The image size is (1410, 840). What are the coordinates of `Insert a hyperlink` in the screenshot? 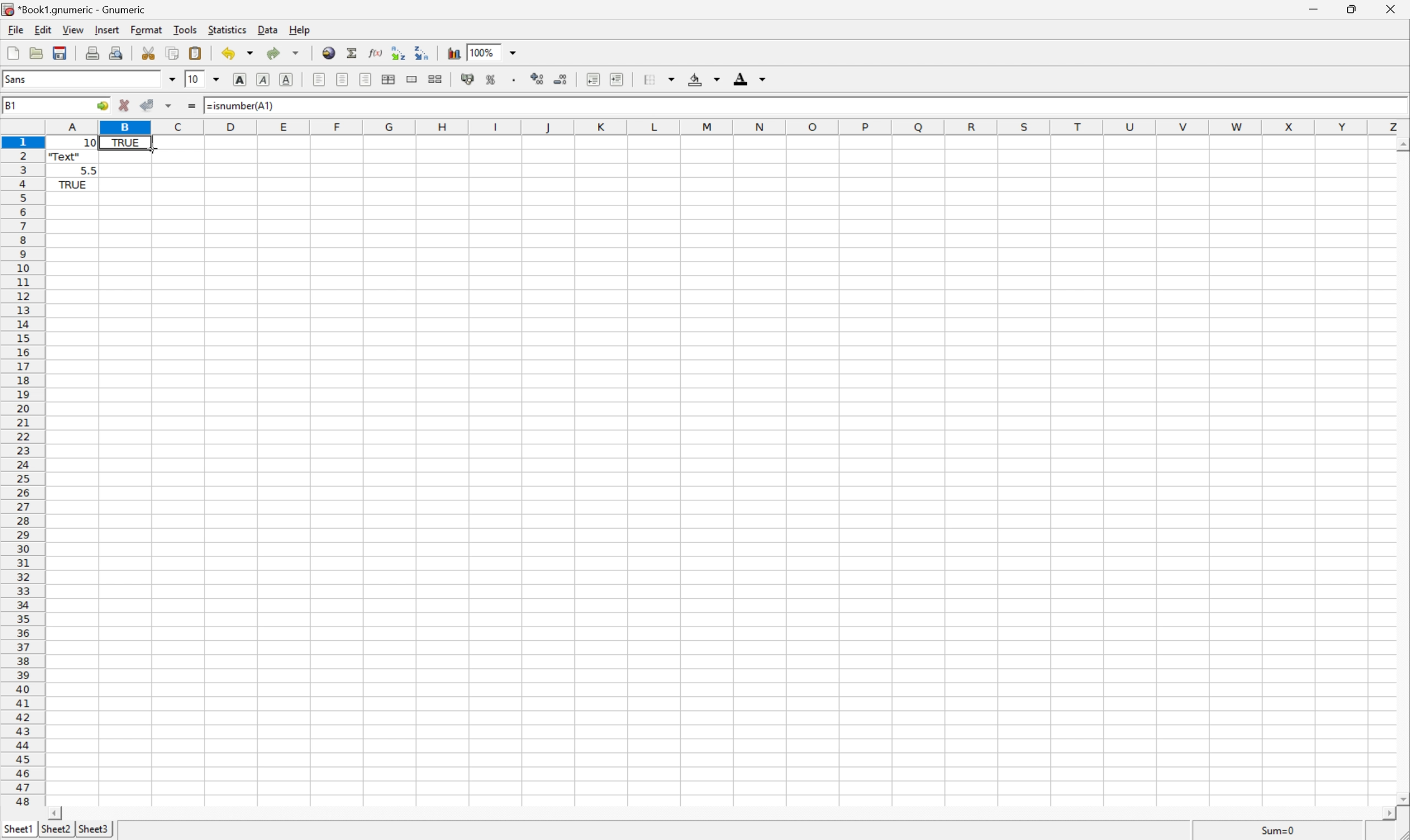 It's located at (327, 53).